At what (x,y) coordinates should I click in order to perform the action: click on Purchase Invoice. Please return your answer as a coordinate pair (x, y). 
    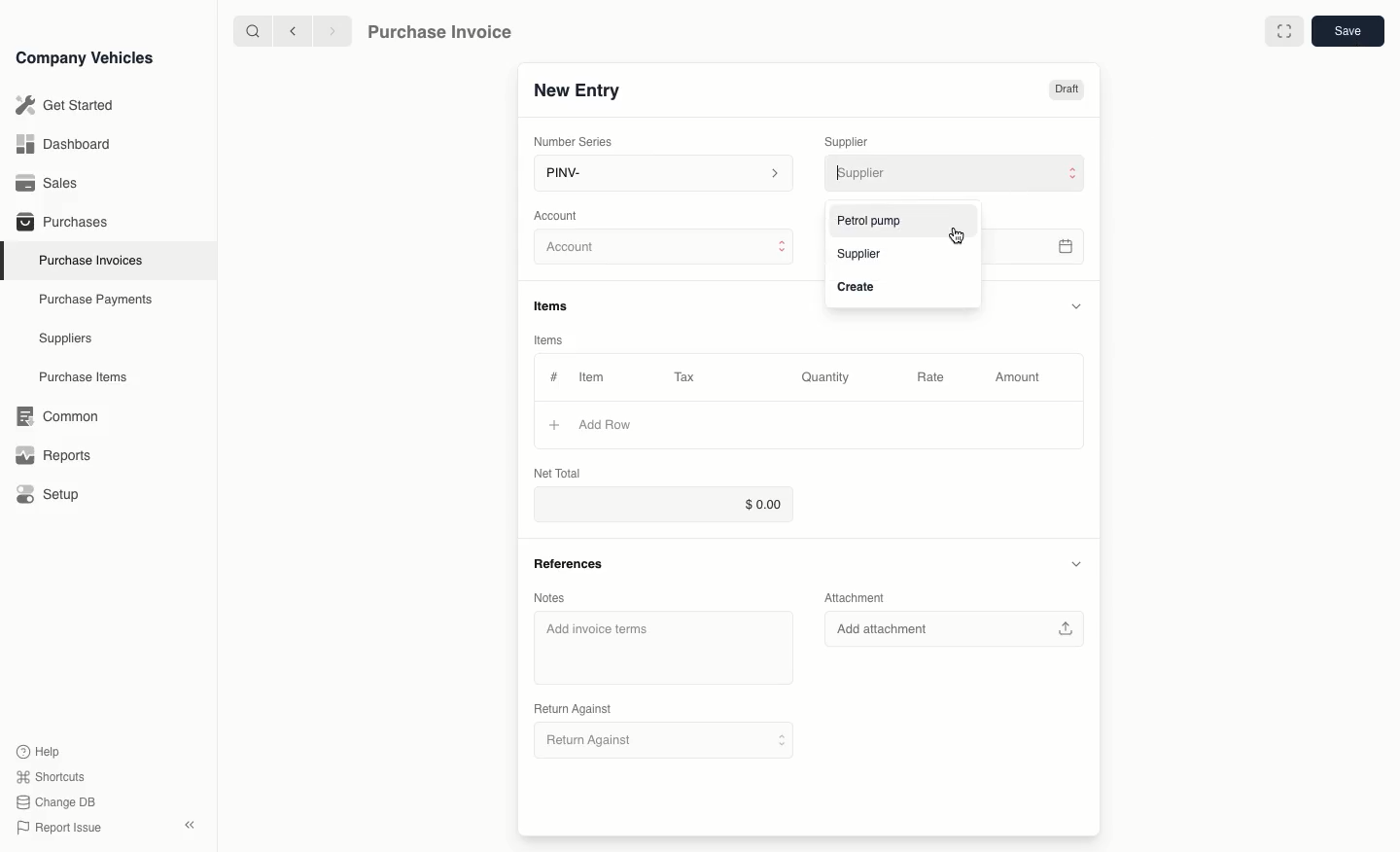
    Looking at the image, I should click on (453, 30).